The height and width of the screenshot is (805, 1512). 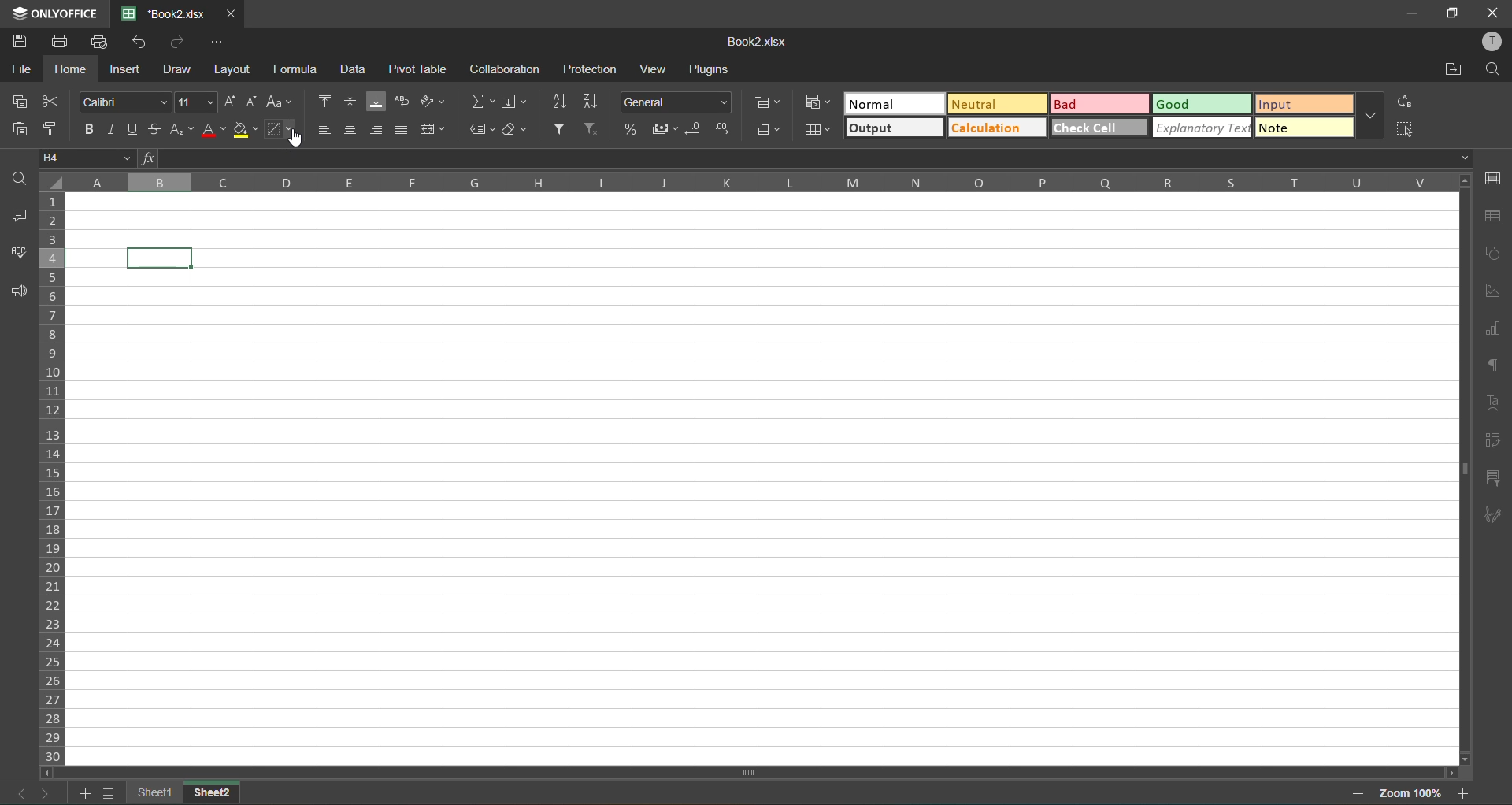 I want to click on paragraph, so click(x=1496, y=365).